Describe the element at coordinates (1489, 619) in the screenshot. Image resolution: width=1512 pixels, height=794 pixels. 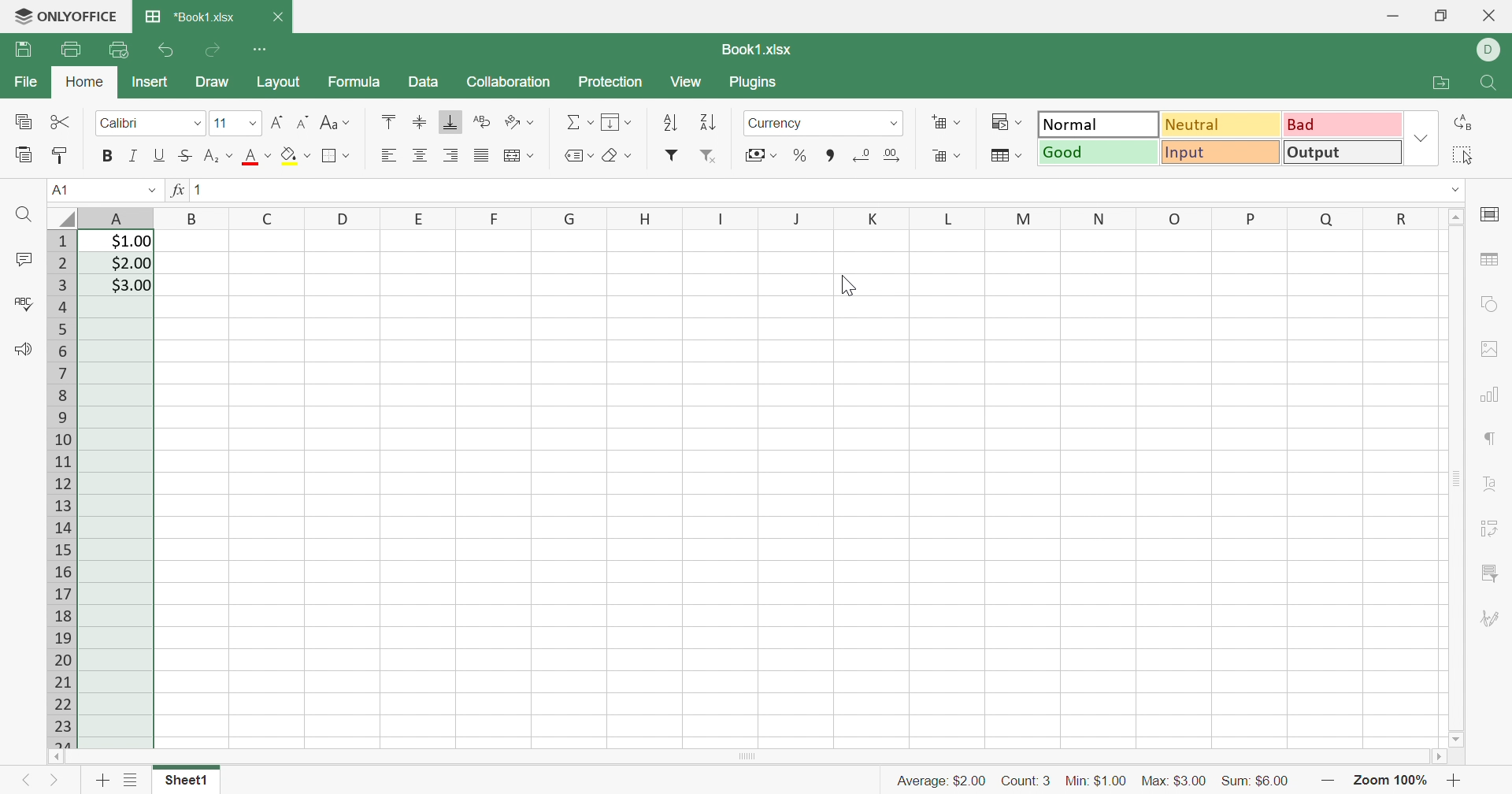
I see `Signature settings` at that location.